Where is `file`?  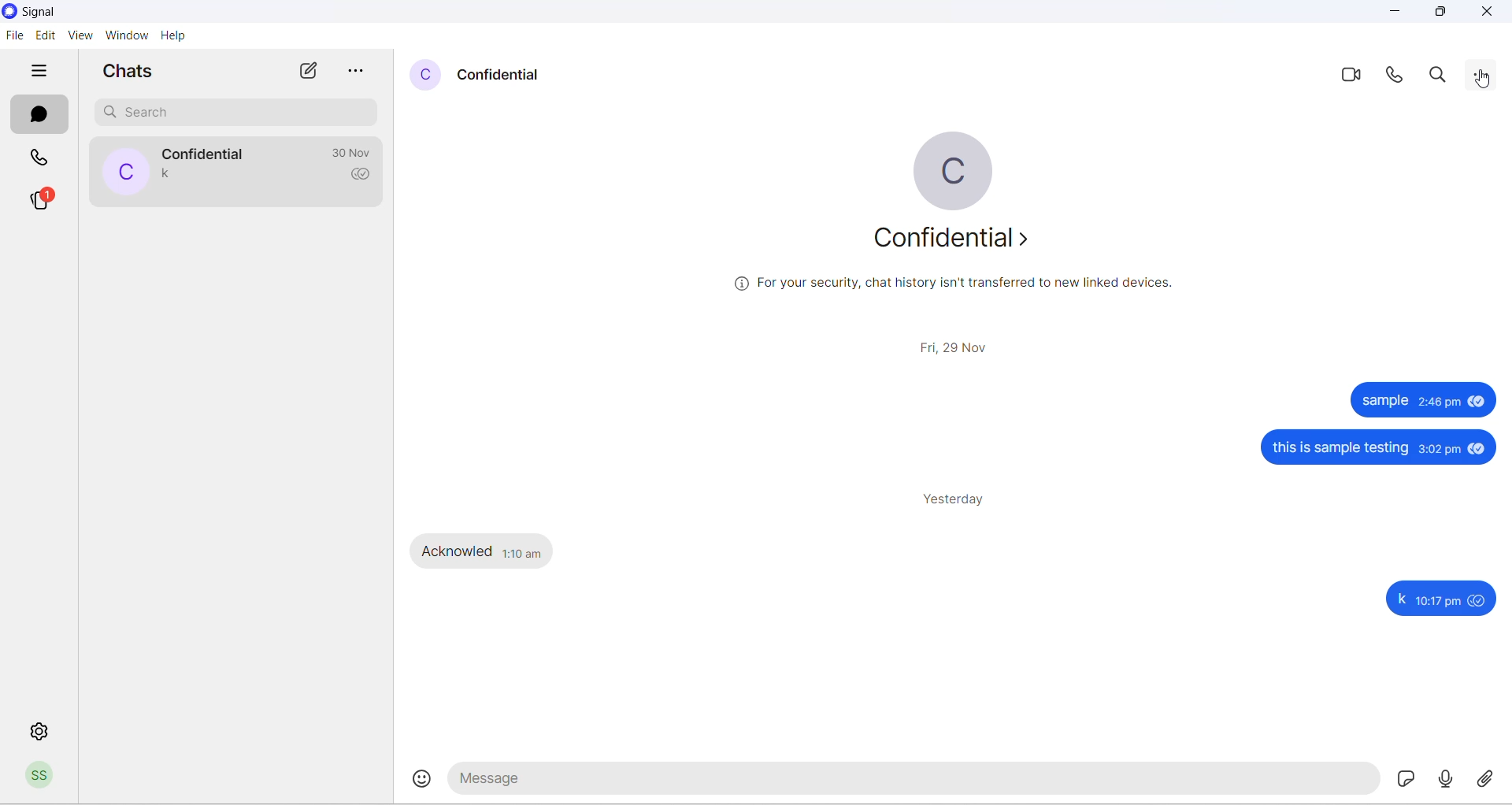 file is located at coordinates (14, 36).